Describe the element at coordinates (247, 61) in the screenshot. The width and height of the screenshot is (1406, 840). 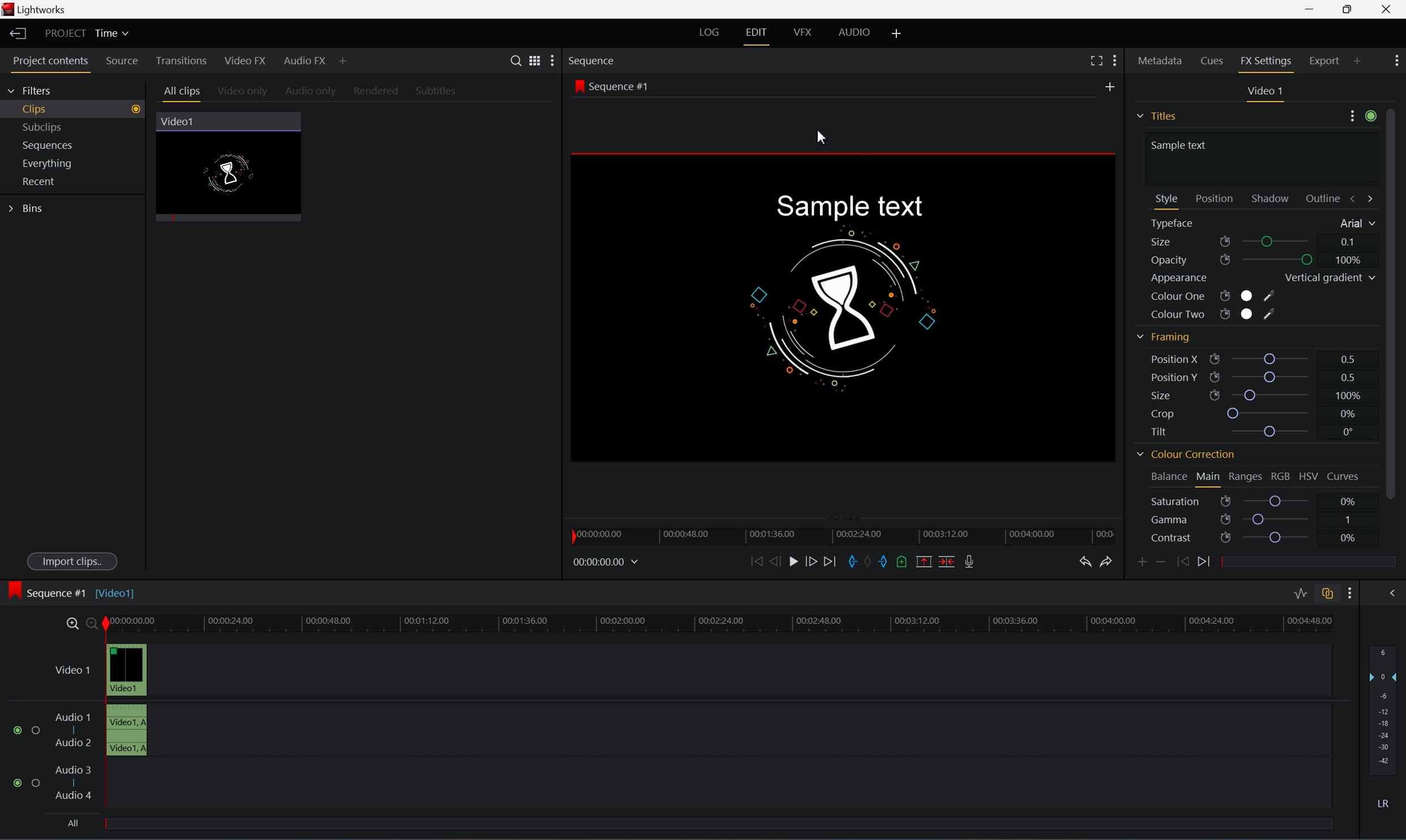
I see `Video FX` at that location.